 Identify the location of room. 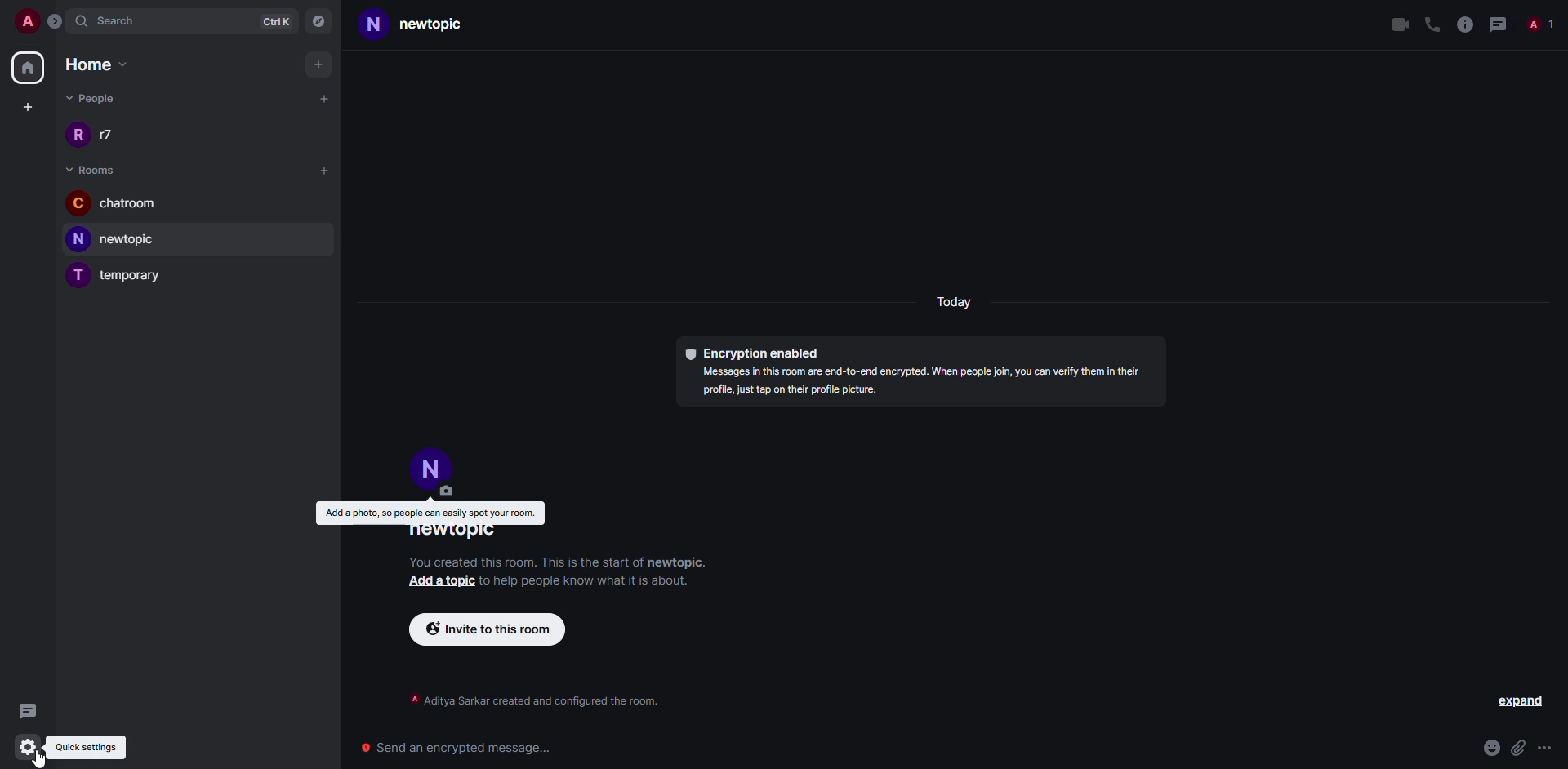
(126, 276).